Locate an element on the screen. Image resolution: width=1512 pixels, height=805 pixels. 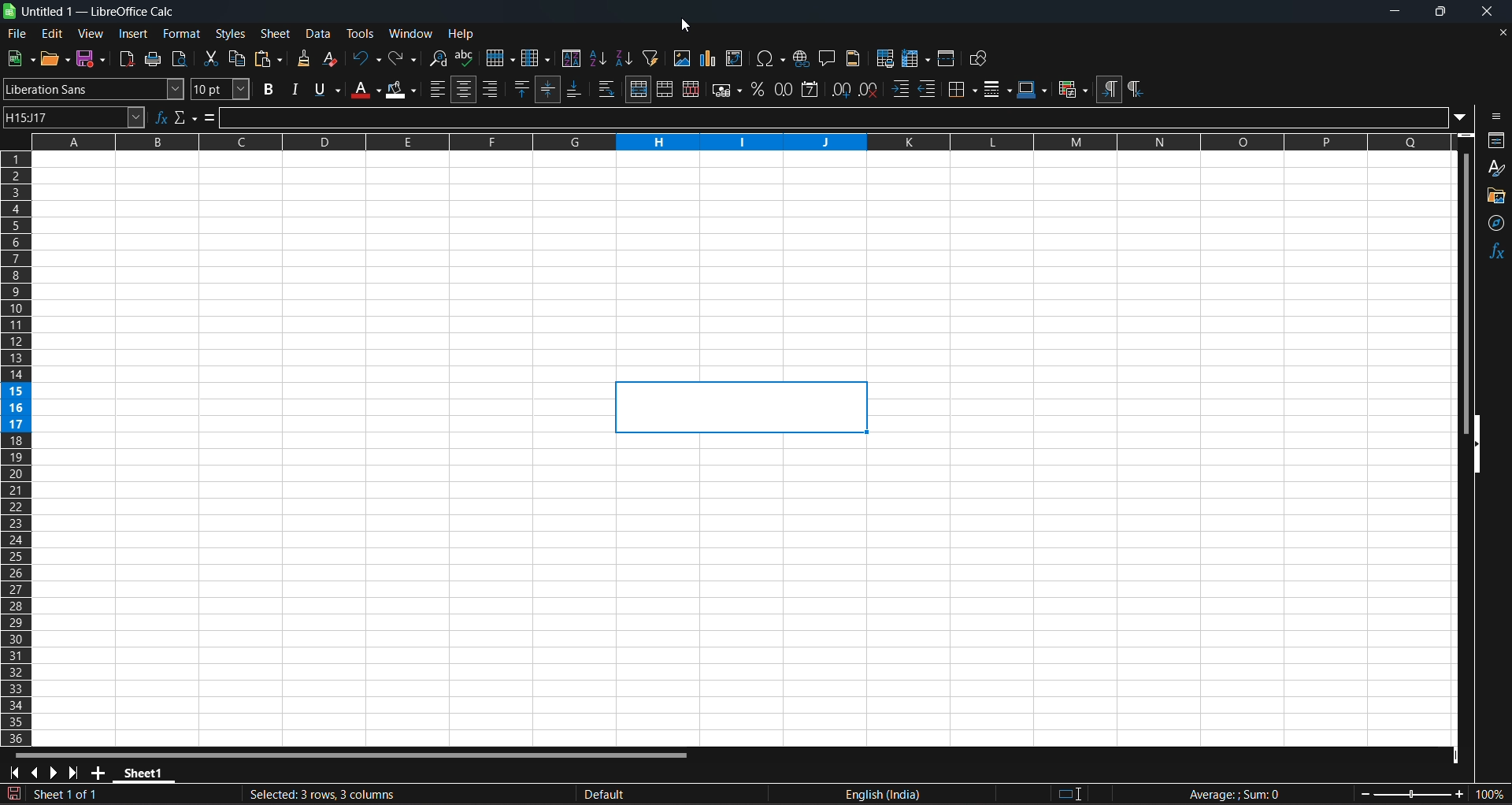
Cells are merged and centered is located at coordinates (744, 408).